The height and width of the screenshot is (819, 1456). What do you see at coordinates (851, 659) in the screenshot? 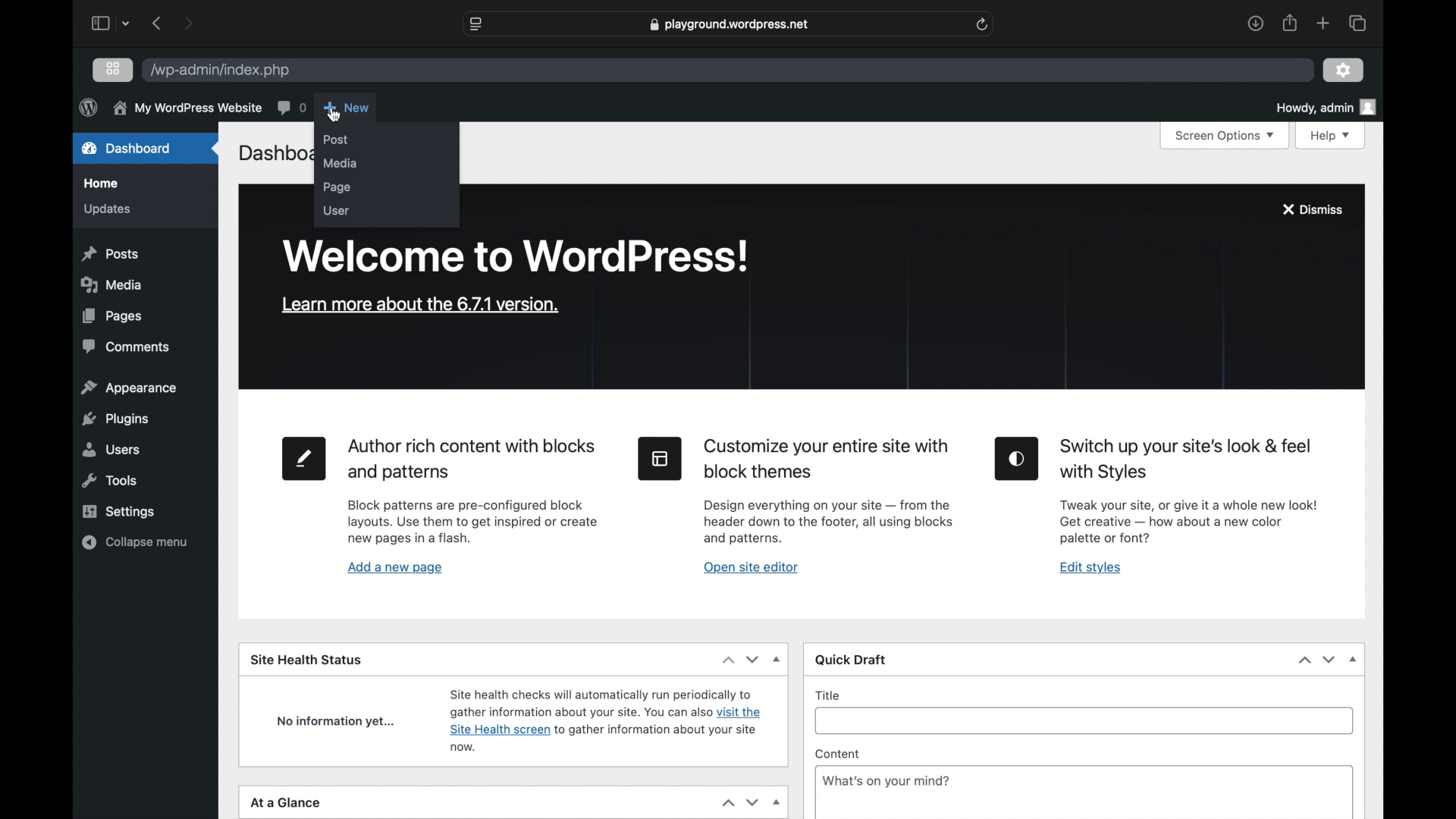
I see `quick draft` at bounding box center [851, 659].